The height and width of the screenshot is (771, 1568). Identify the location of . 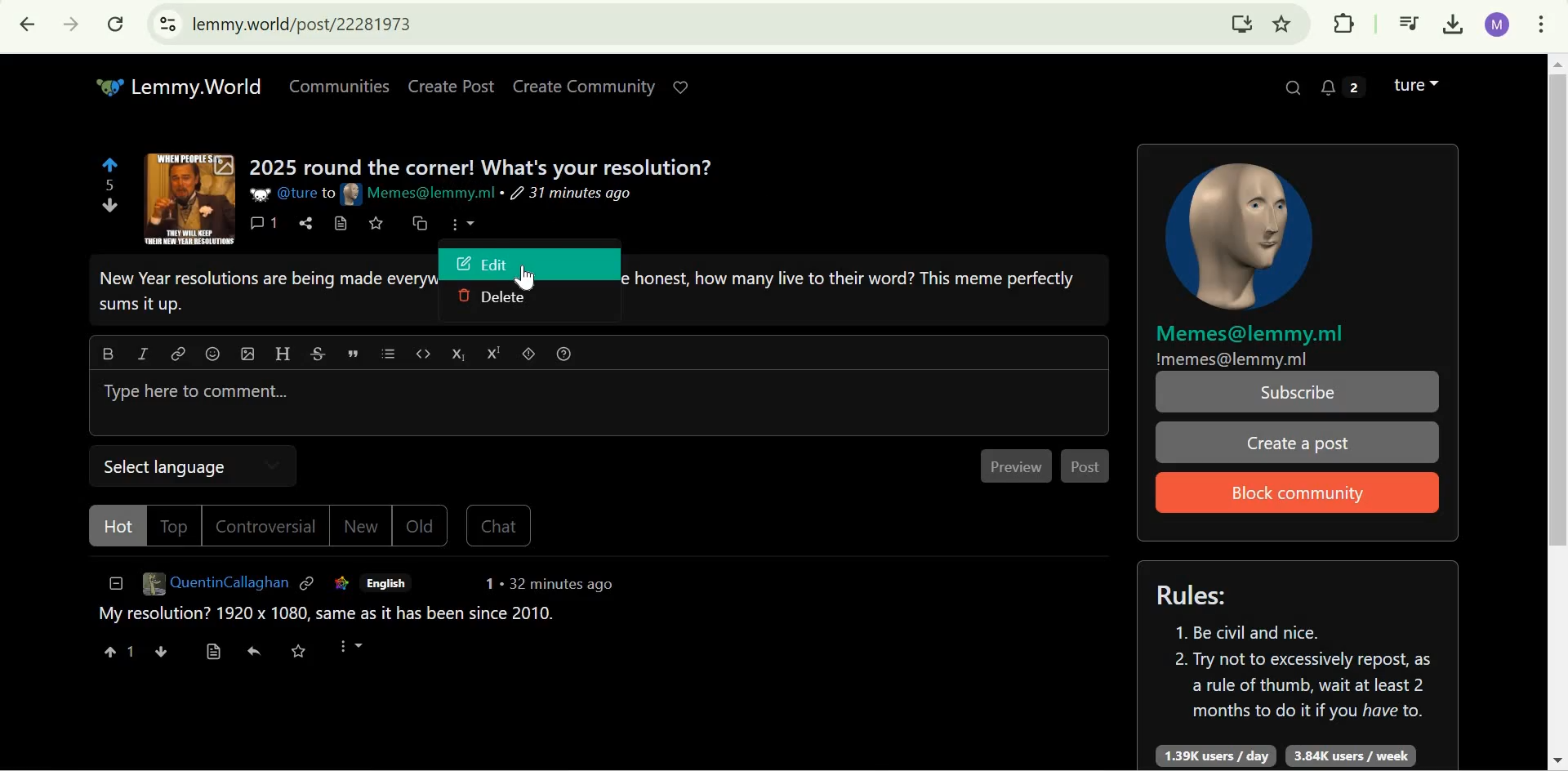
(493, 352).